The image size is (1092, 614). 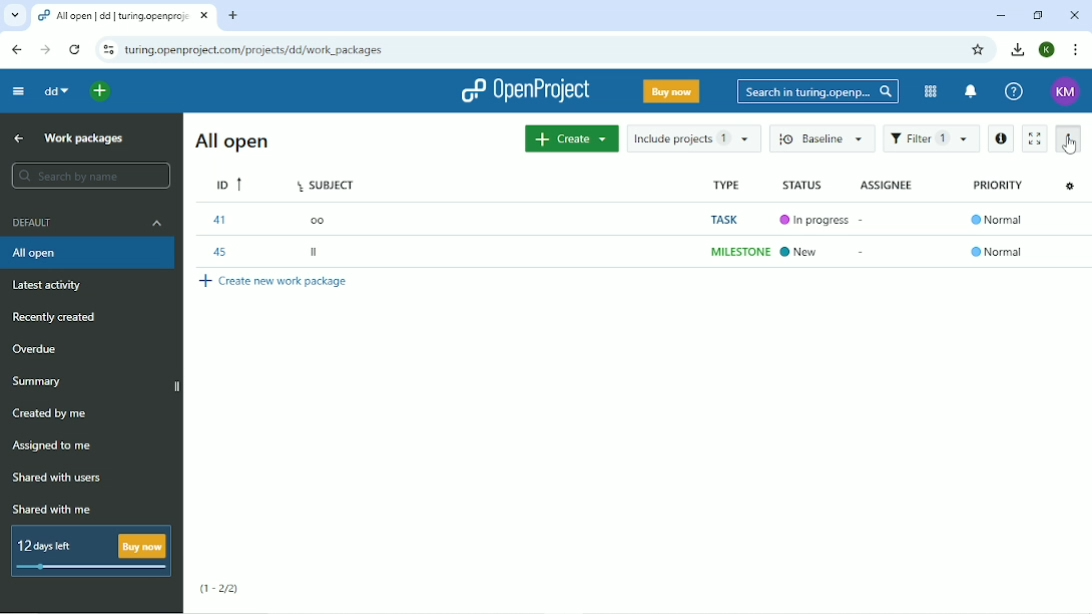 I want to click on Type, so click(x=725, y=184).